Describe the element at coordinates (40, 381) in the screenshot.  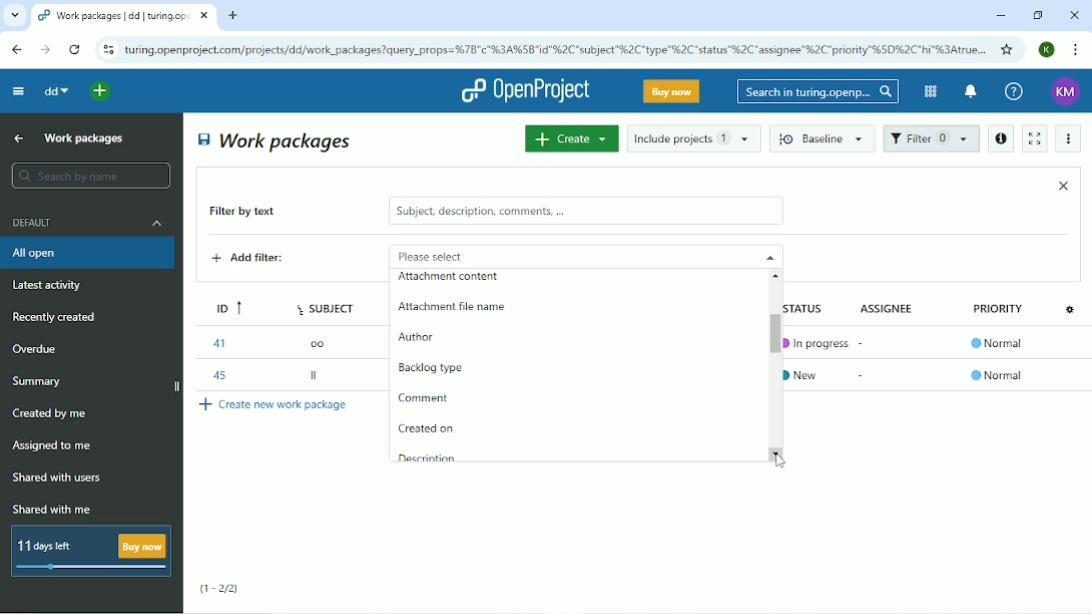
I see `Summary` at that location.